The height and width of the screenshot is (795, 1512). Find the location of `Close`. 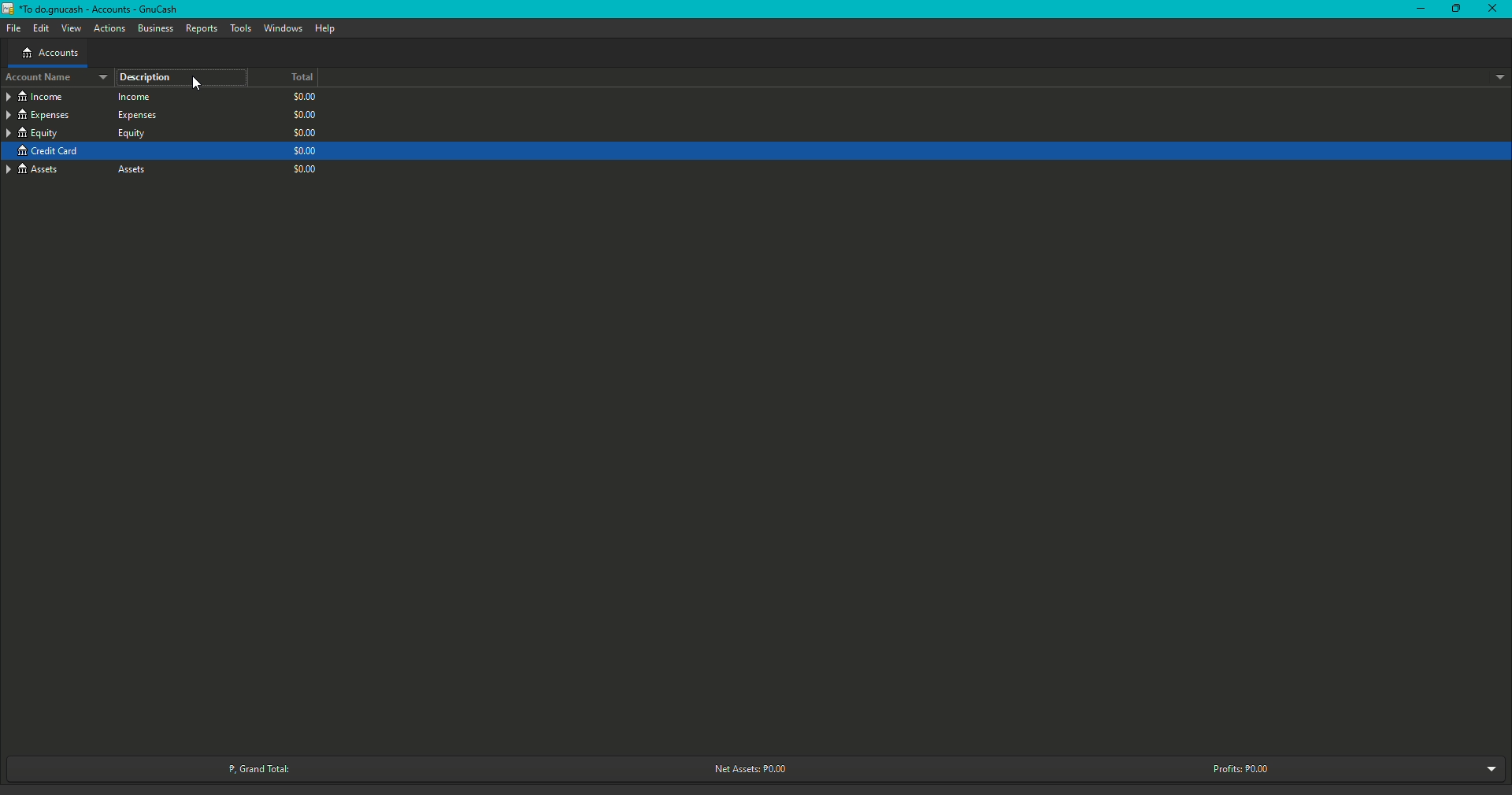

Close is located at coordinates (1492, 9).